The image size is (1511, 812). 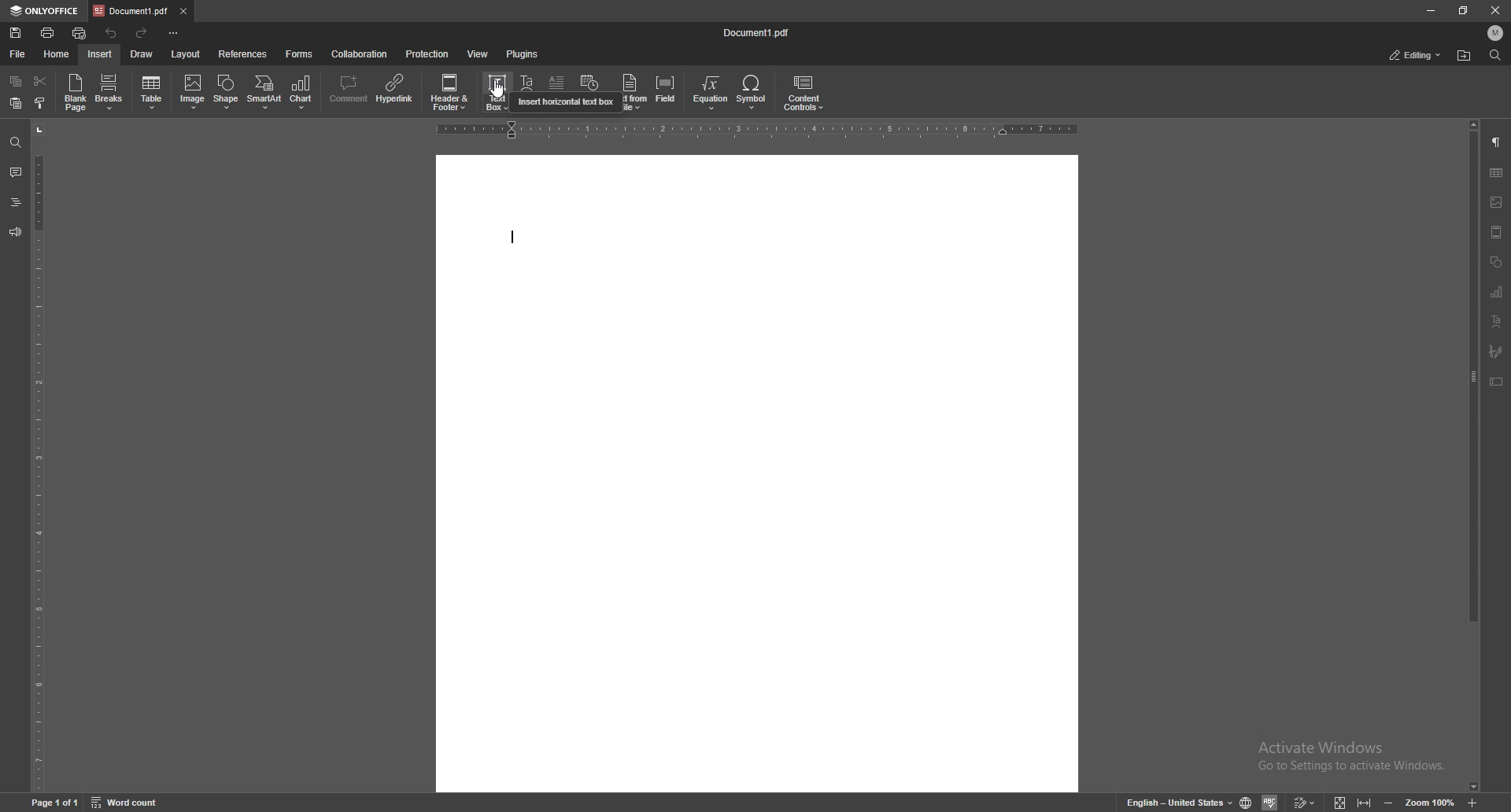 I want to click on scroll bar, so click(x=1472, y=456).